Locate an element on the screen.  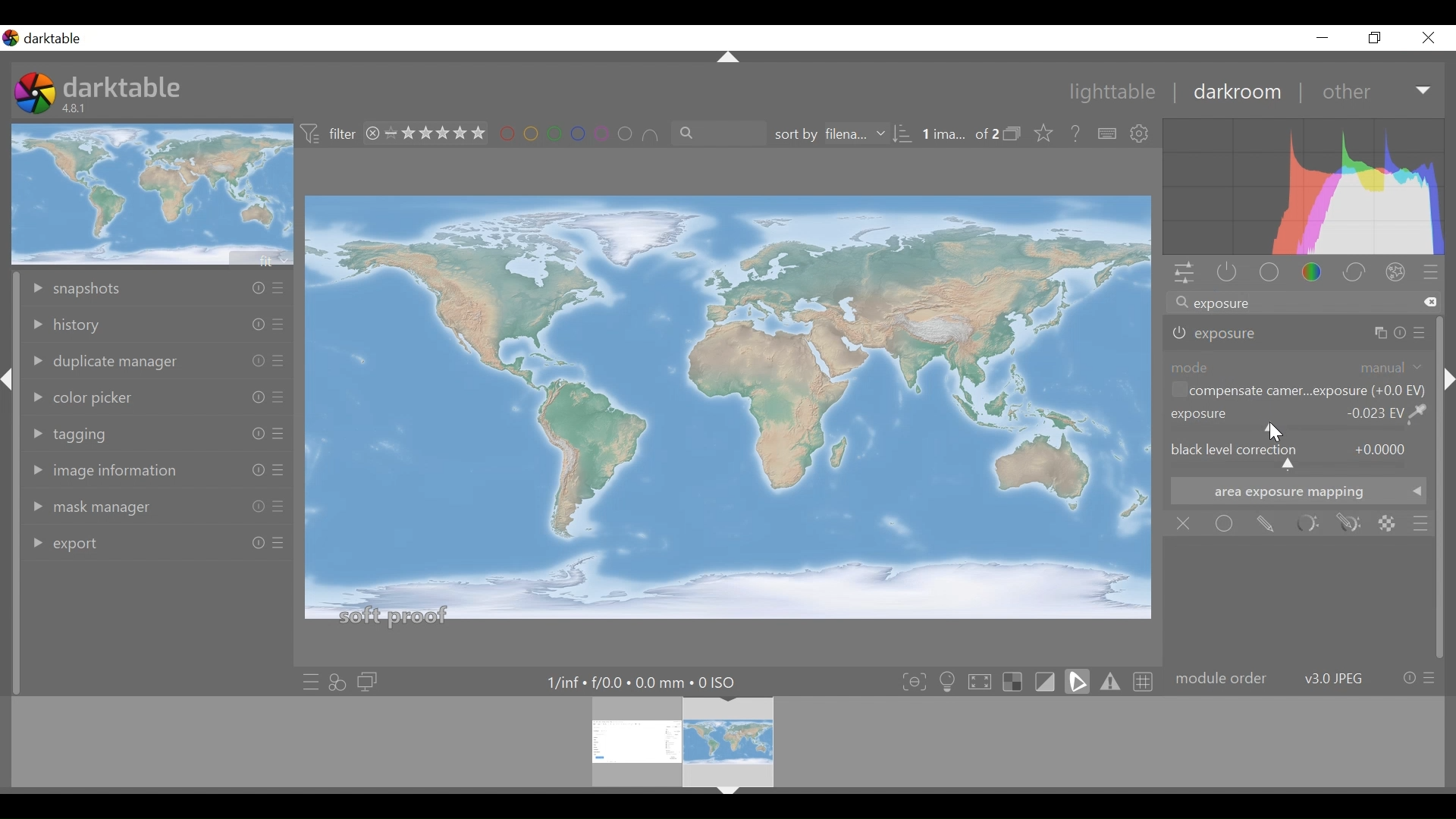
toggle guide lines is located at coordinates (1145, 680).